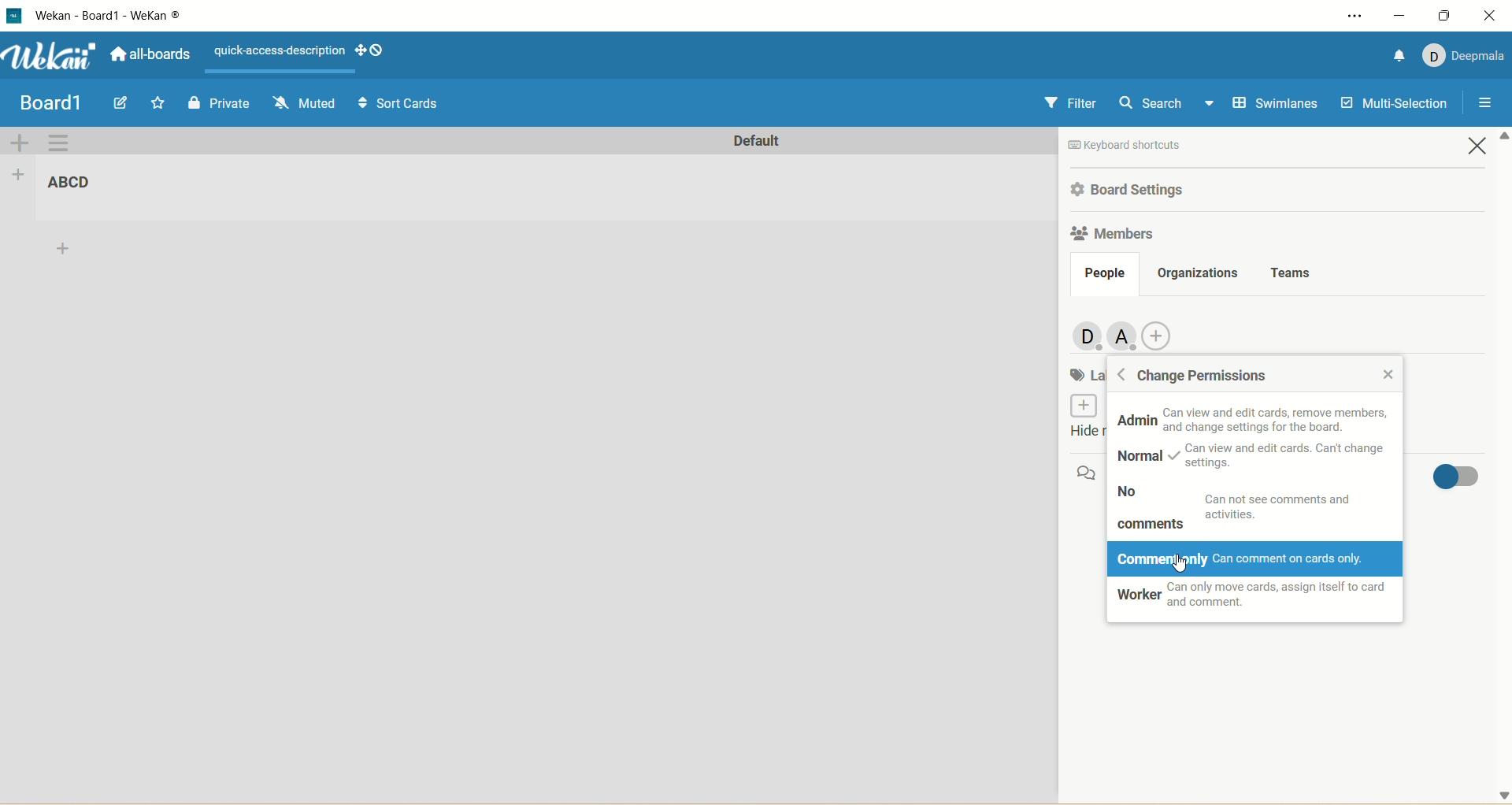 This screenshot has width=1512, height=805. What do you see at coordinates (150, 54) in the screenshot?
I see `all boards` at bounding box center [150, 54].